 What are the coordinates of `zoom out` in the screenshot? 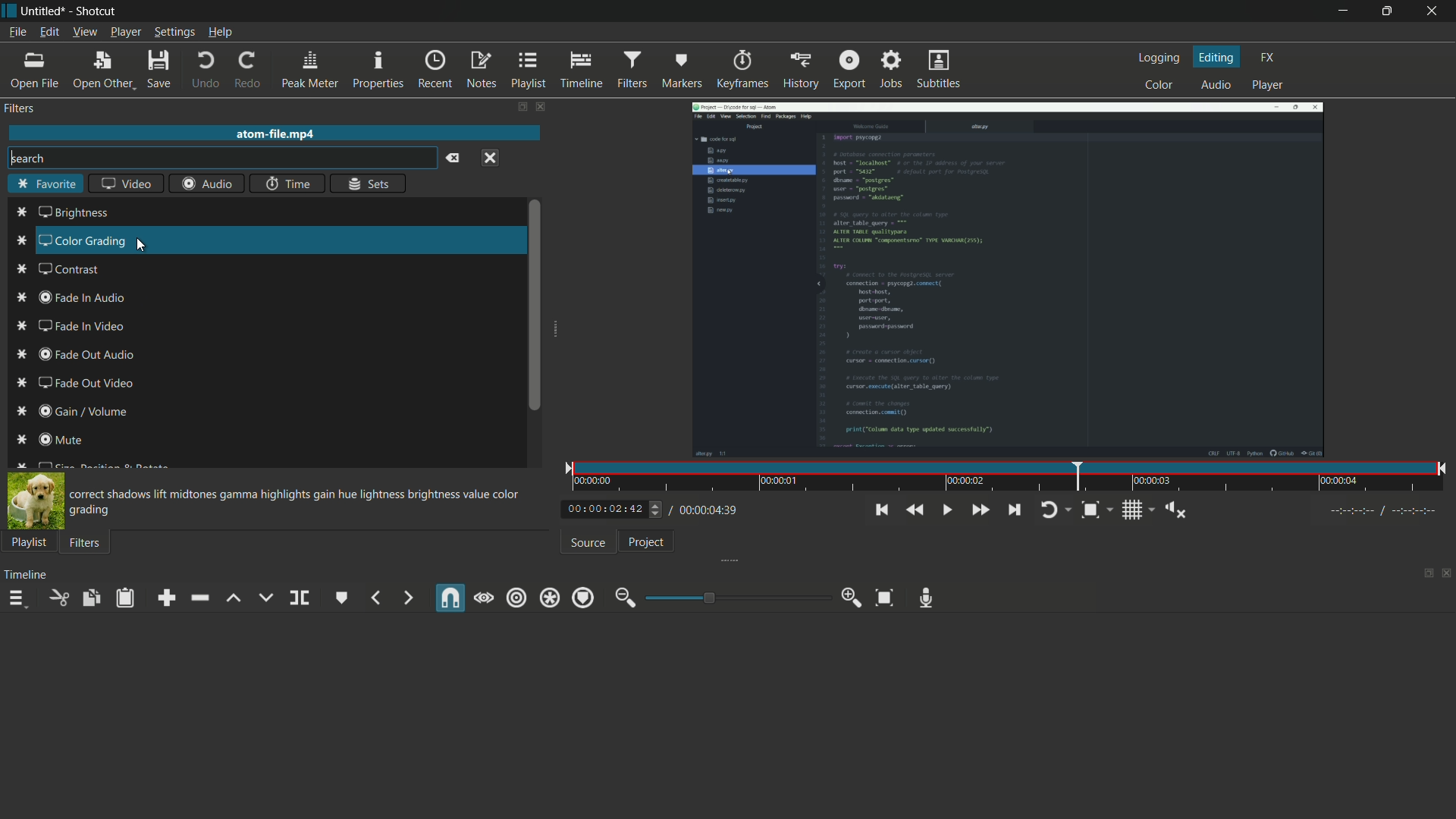 It's located at (624, 598).